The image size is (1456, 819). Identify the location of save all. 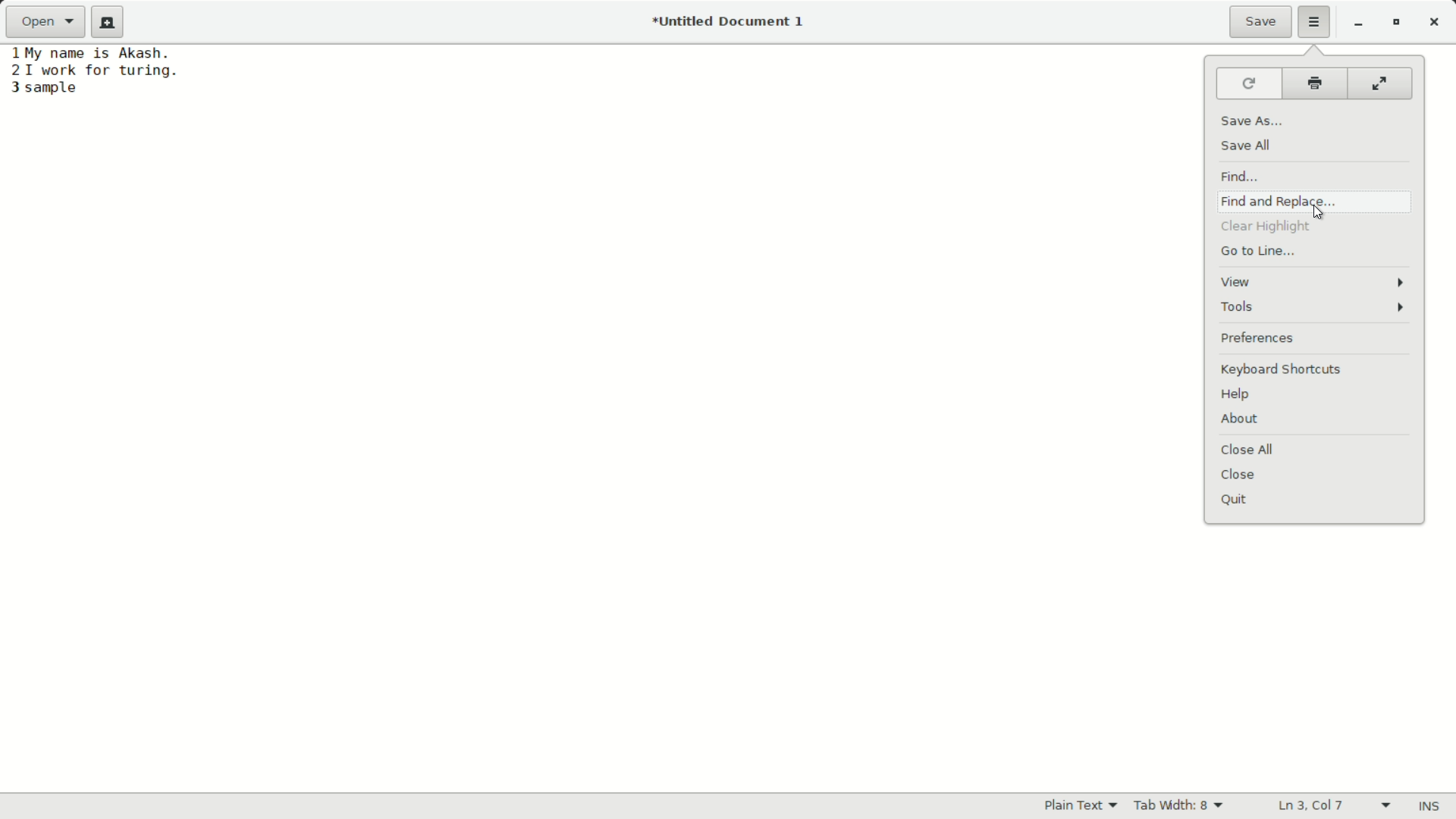
(1247, 146).